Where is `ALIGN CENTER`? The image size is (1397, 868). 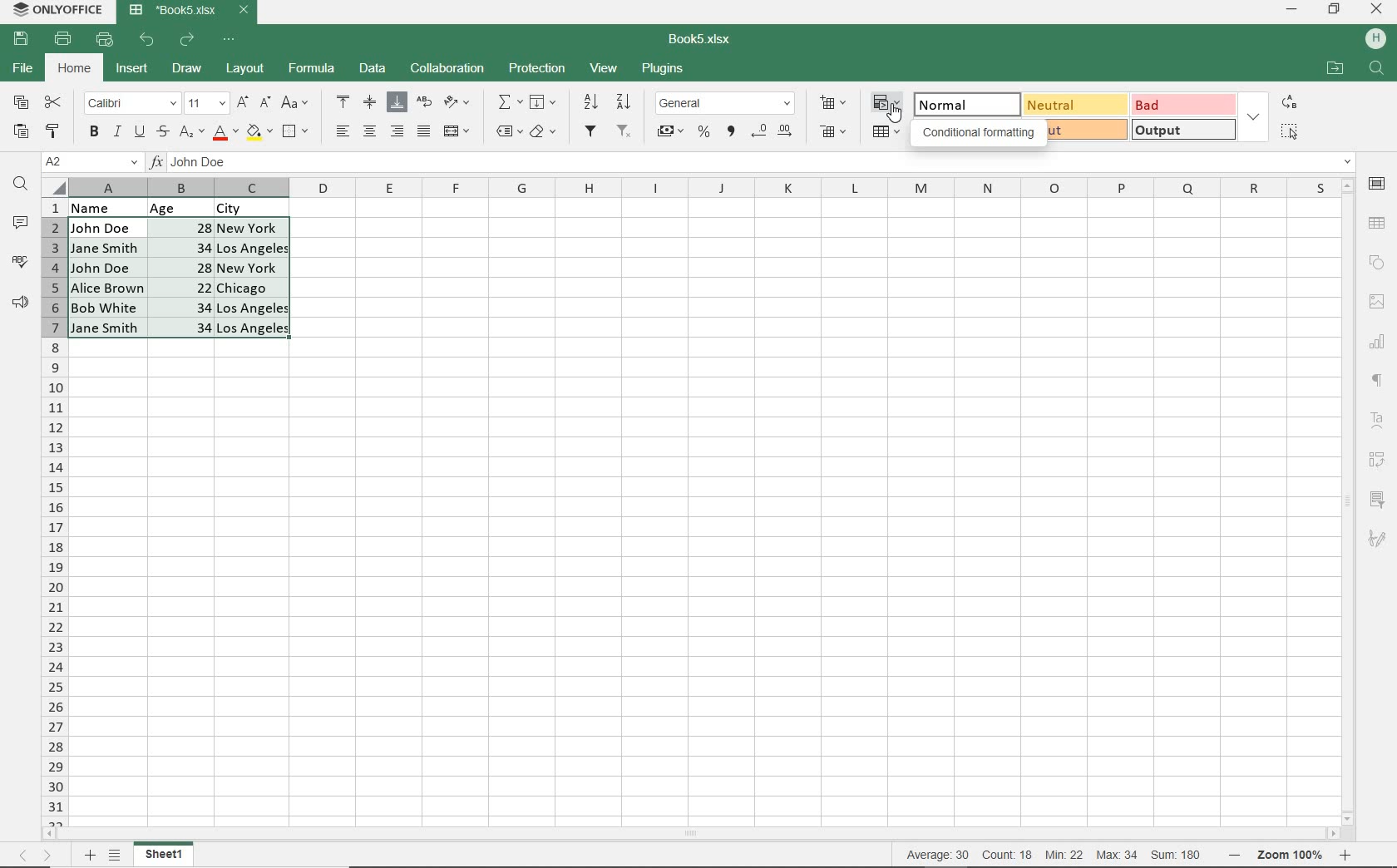
ALIGN CENTER is located at coordinates (368, 132).